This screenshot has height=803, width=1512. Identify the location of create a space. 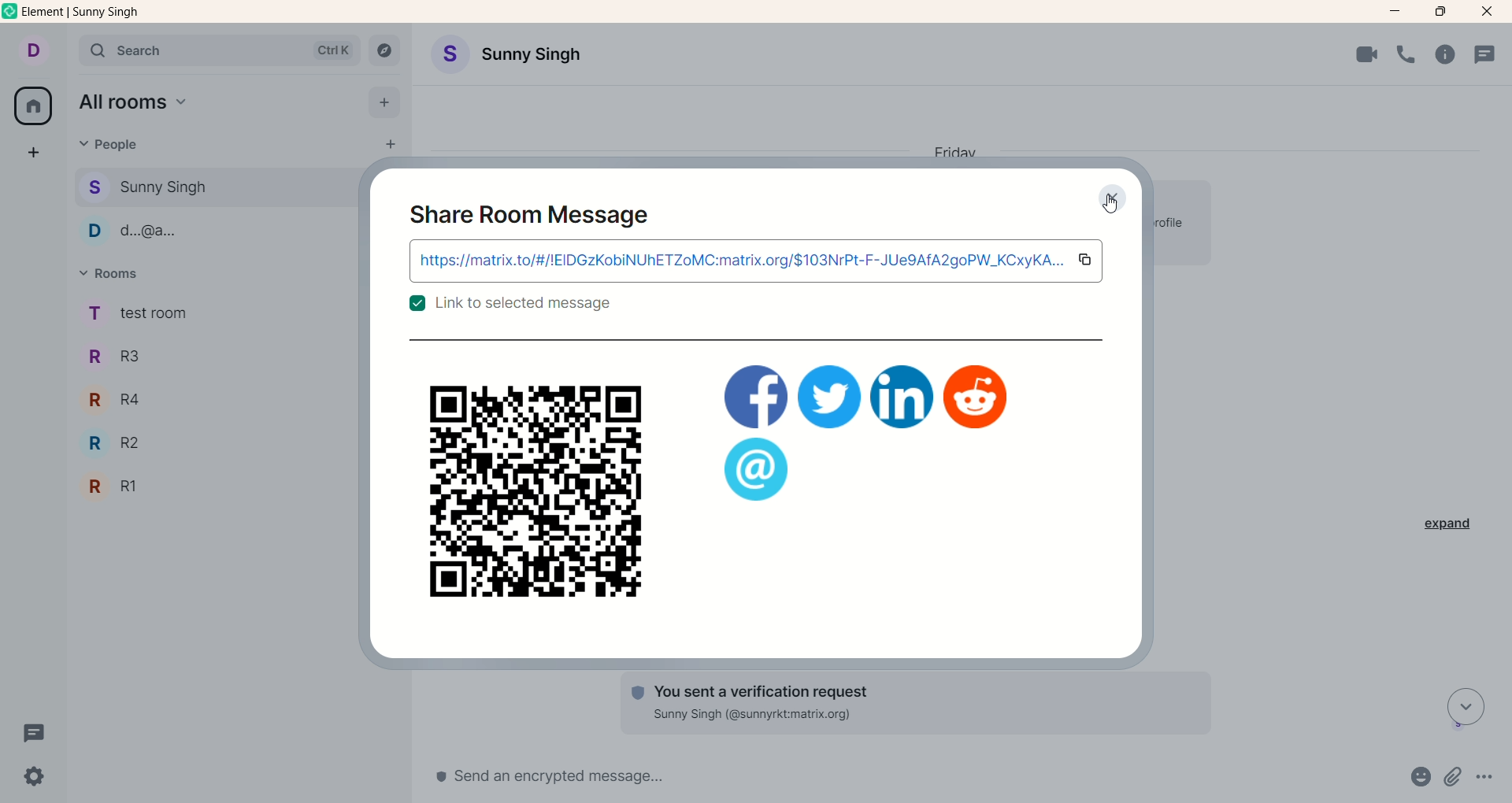
(35, 156).